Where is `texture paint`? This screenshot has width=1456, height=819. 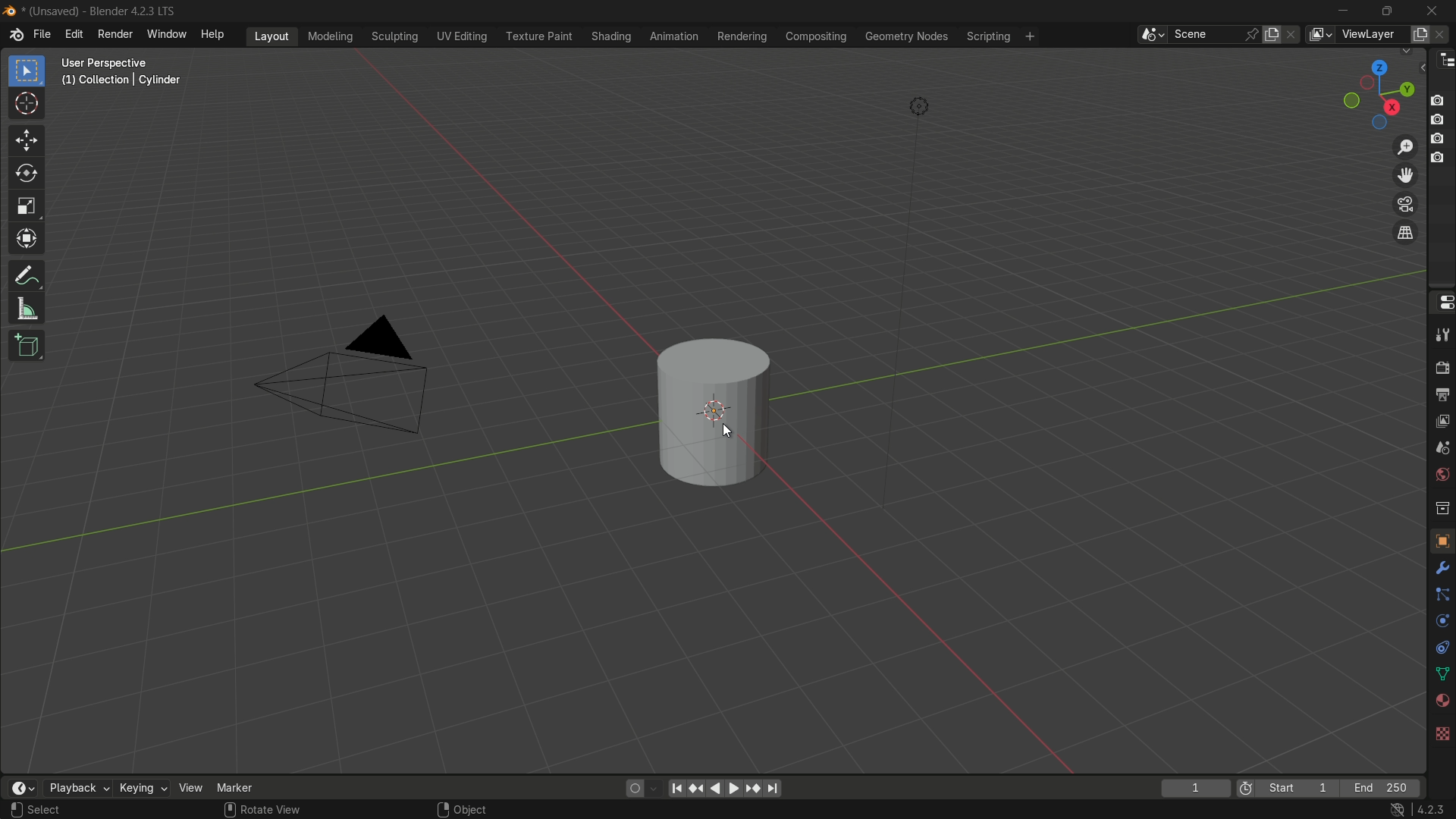
texture paint is located at coordinates (538, 36).